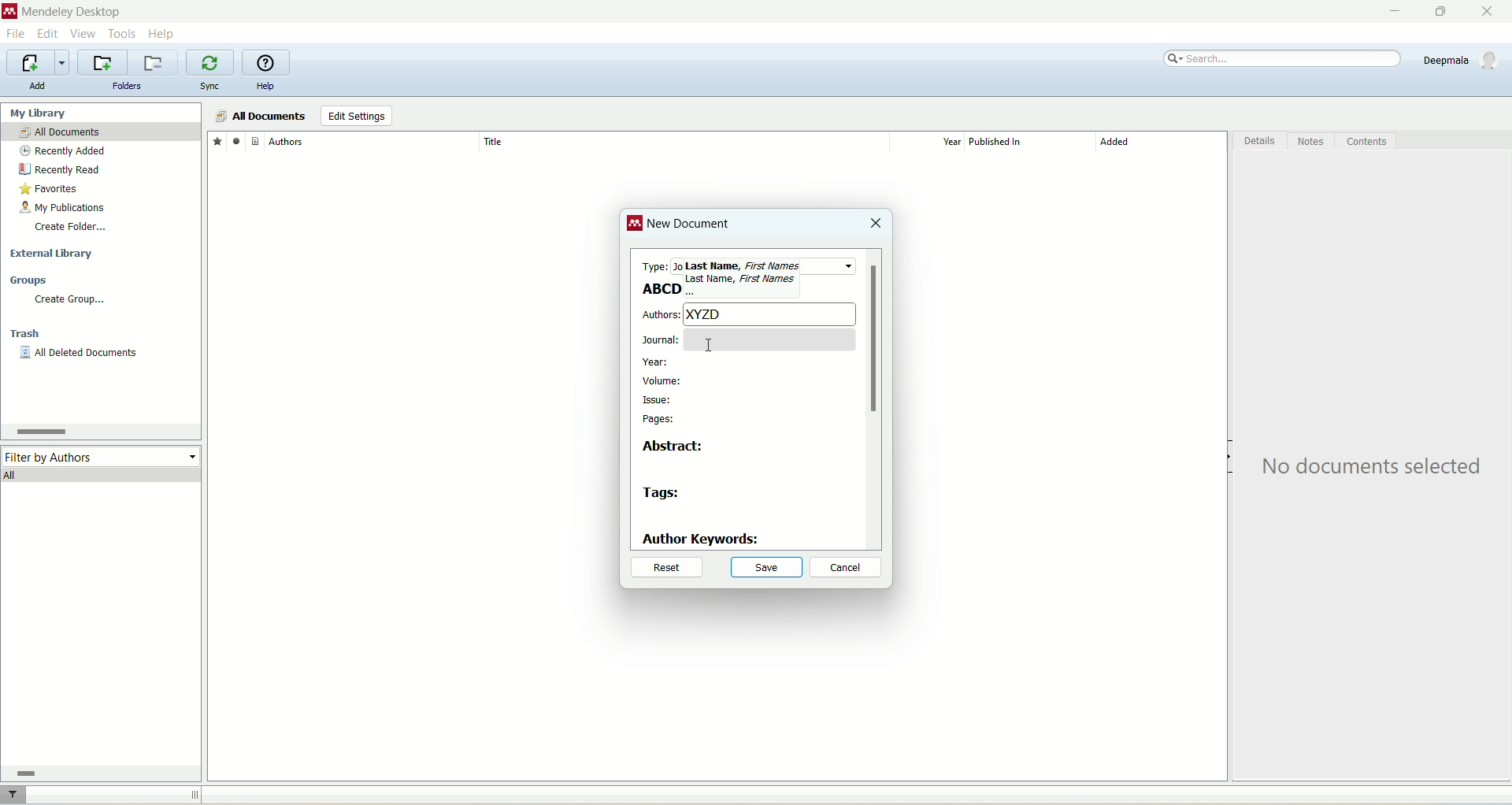 This screenshot has height=805, width=1512. Describe the element at coordinates (65, 209) in the screenshot. I see `my publication` at that location.